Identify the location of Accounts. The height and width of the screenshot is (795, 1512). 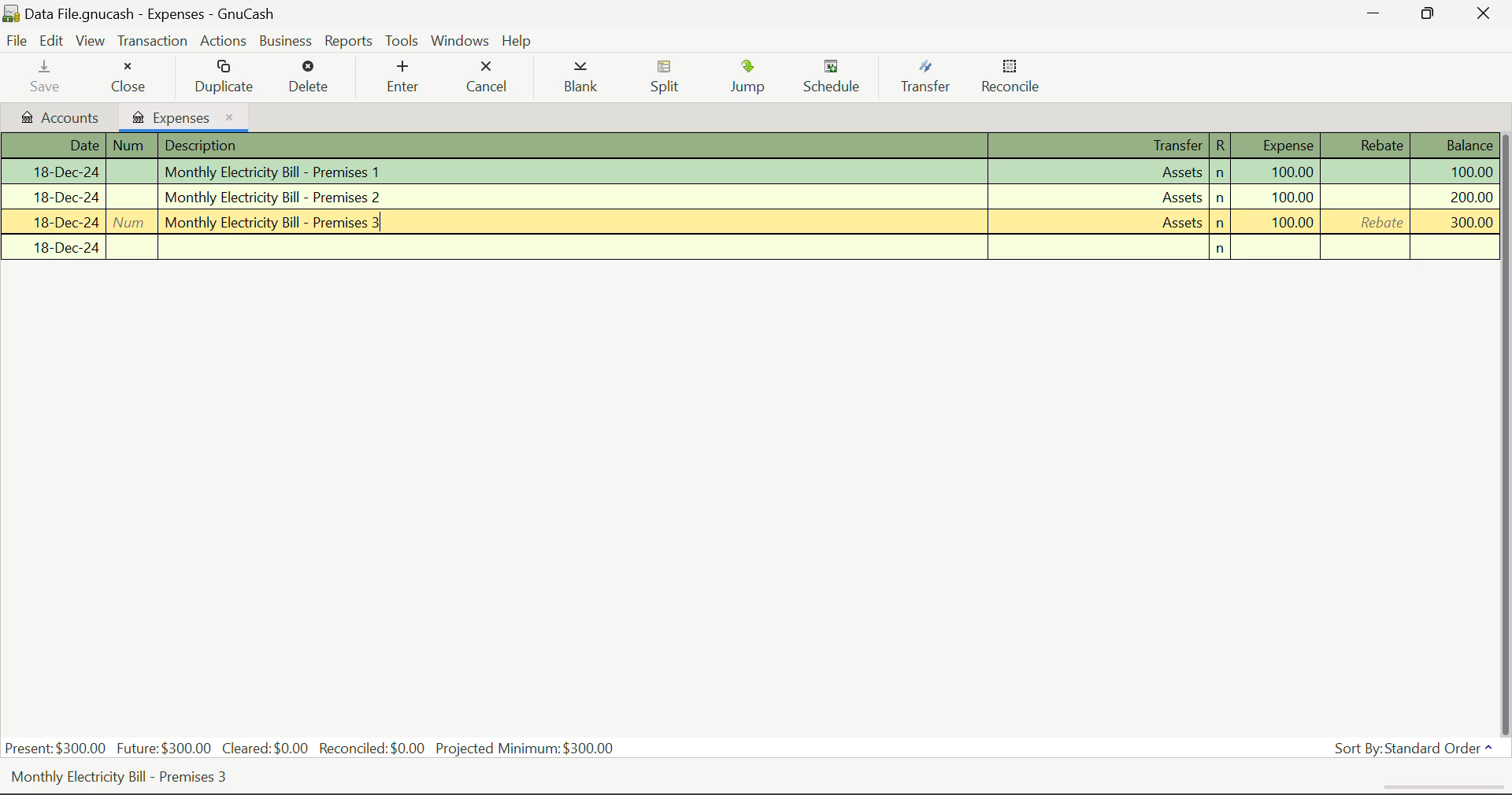
(57, 117).